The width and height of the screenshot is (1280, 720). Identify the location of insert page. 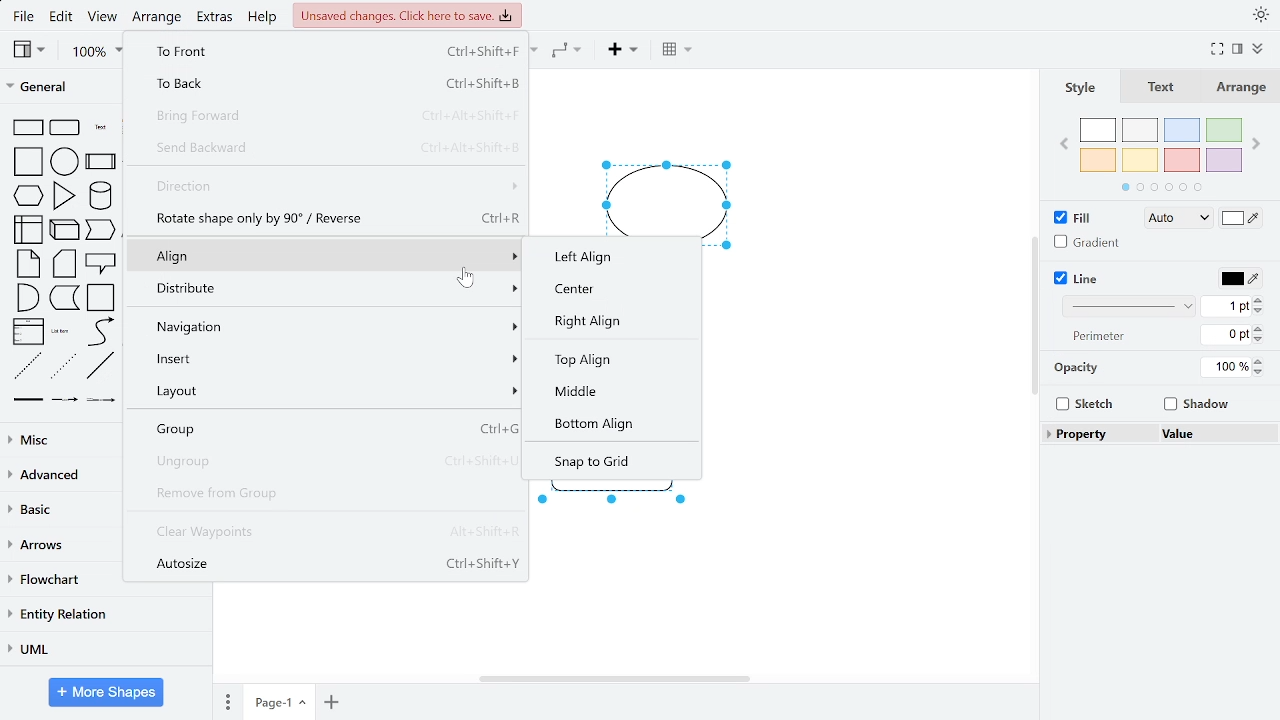
(331, 701).